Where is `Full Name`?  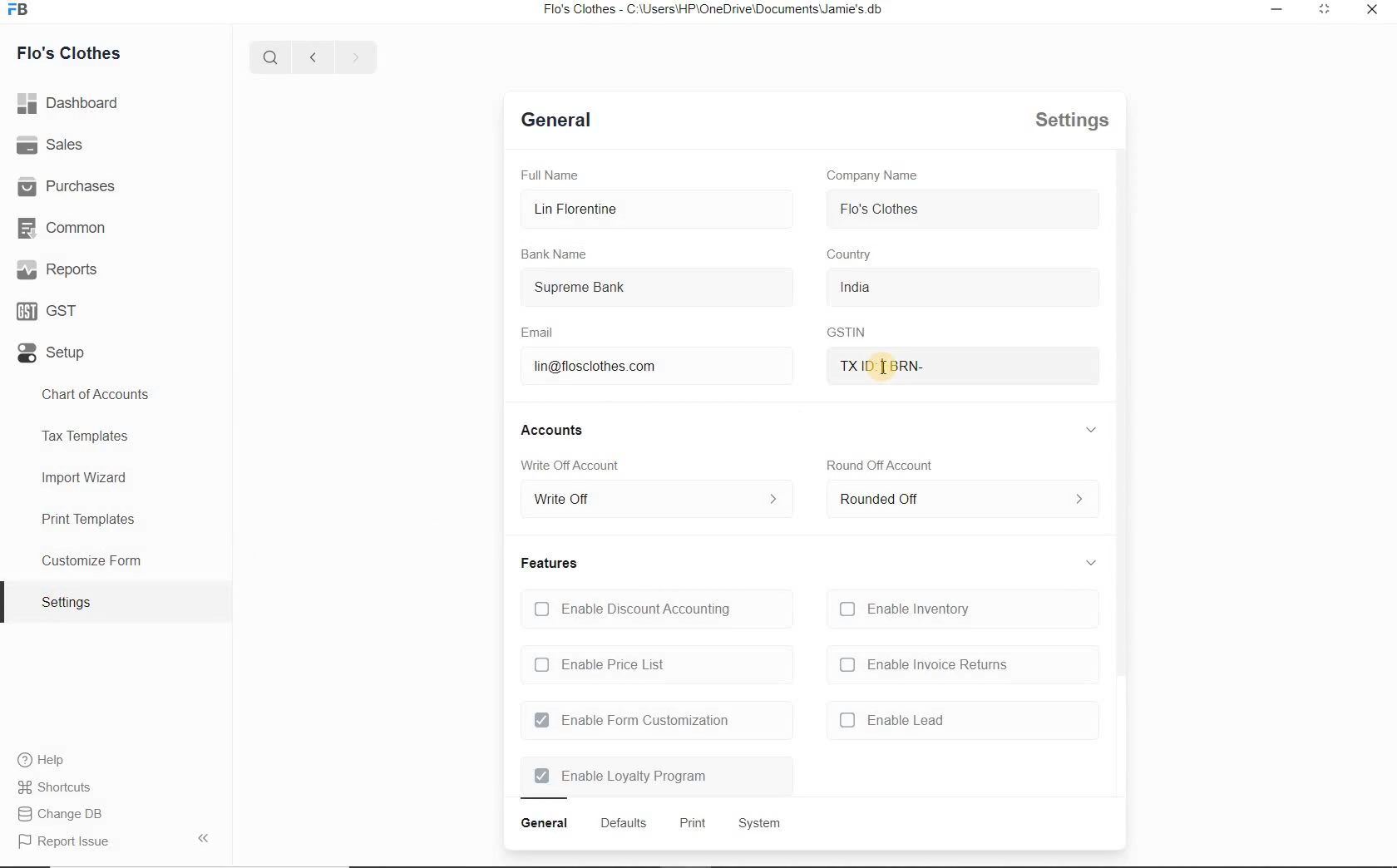
Full Name is located at coordinates (555, 175).